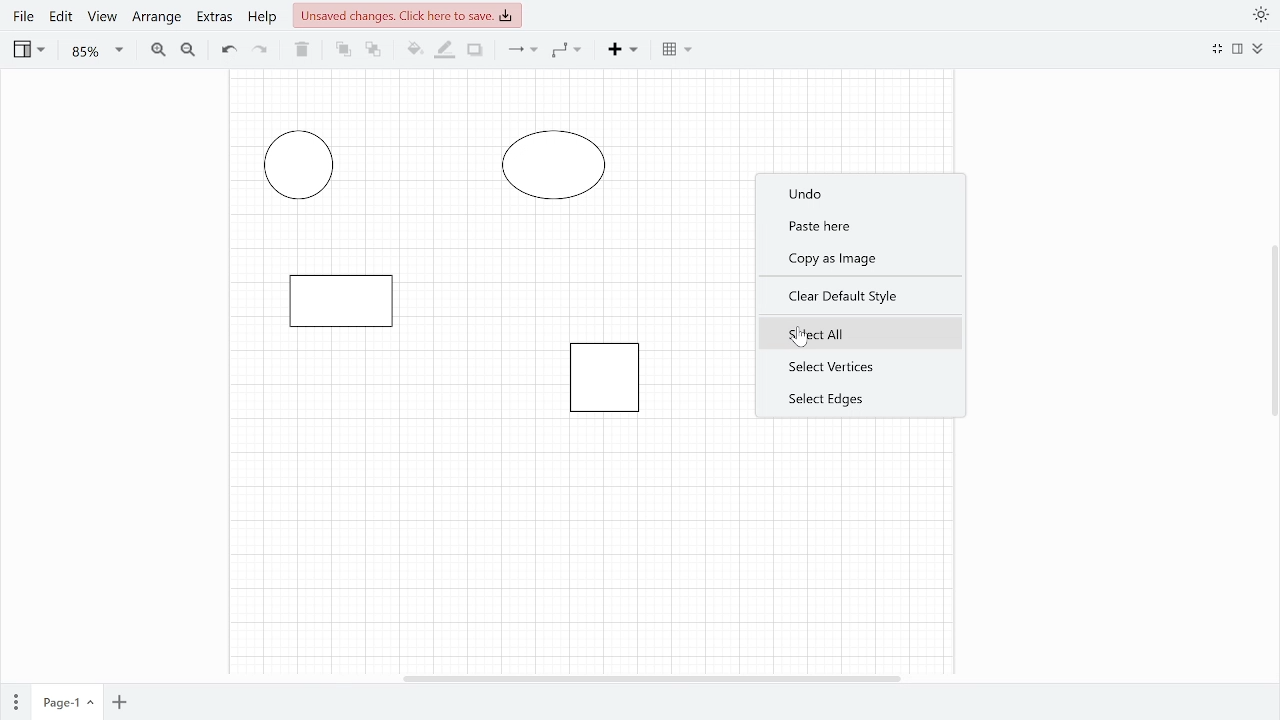 The image size is (1280, 720). Describe the element at coordinates (1238, 51) in the screenshot. I see `Format` at that location.